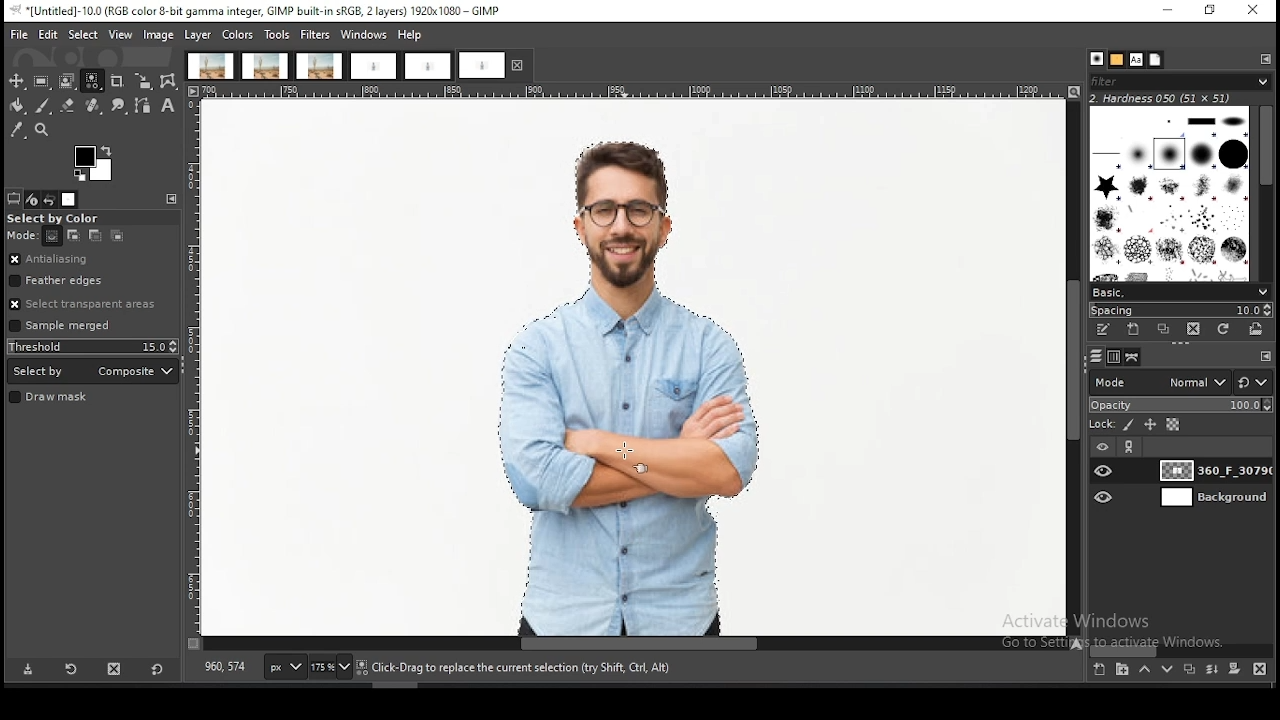 This screenshot has width=1280, height=720. Describe the element at coordinates (1121, 668) in the screenshot. I see `create a new layer group` at that location.